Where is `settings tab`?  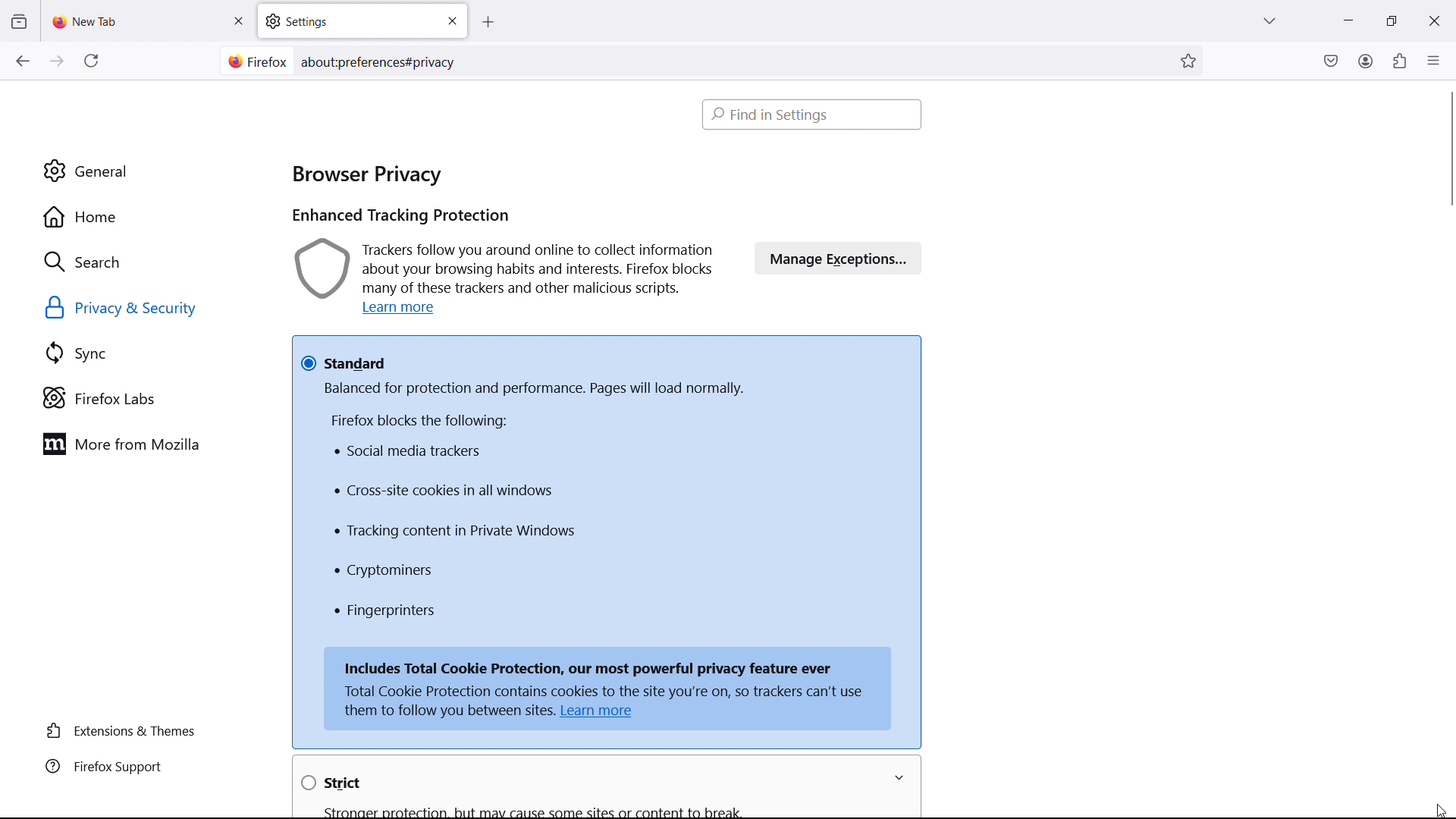 settings tab is located at coordinates (362, 20).